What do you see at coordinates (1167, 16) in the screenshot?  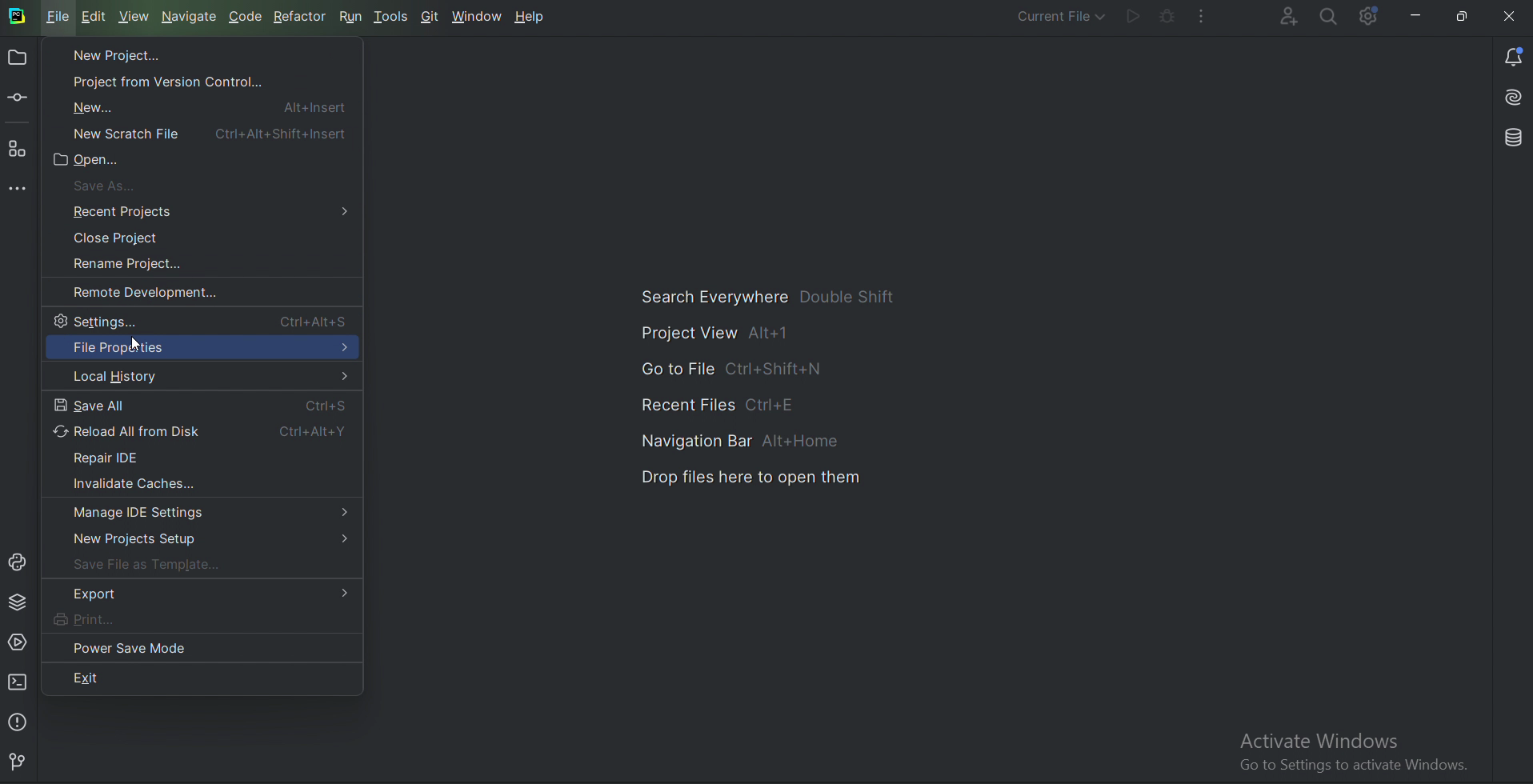 I see `Debug` at bounding box center [1167, 16].